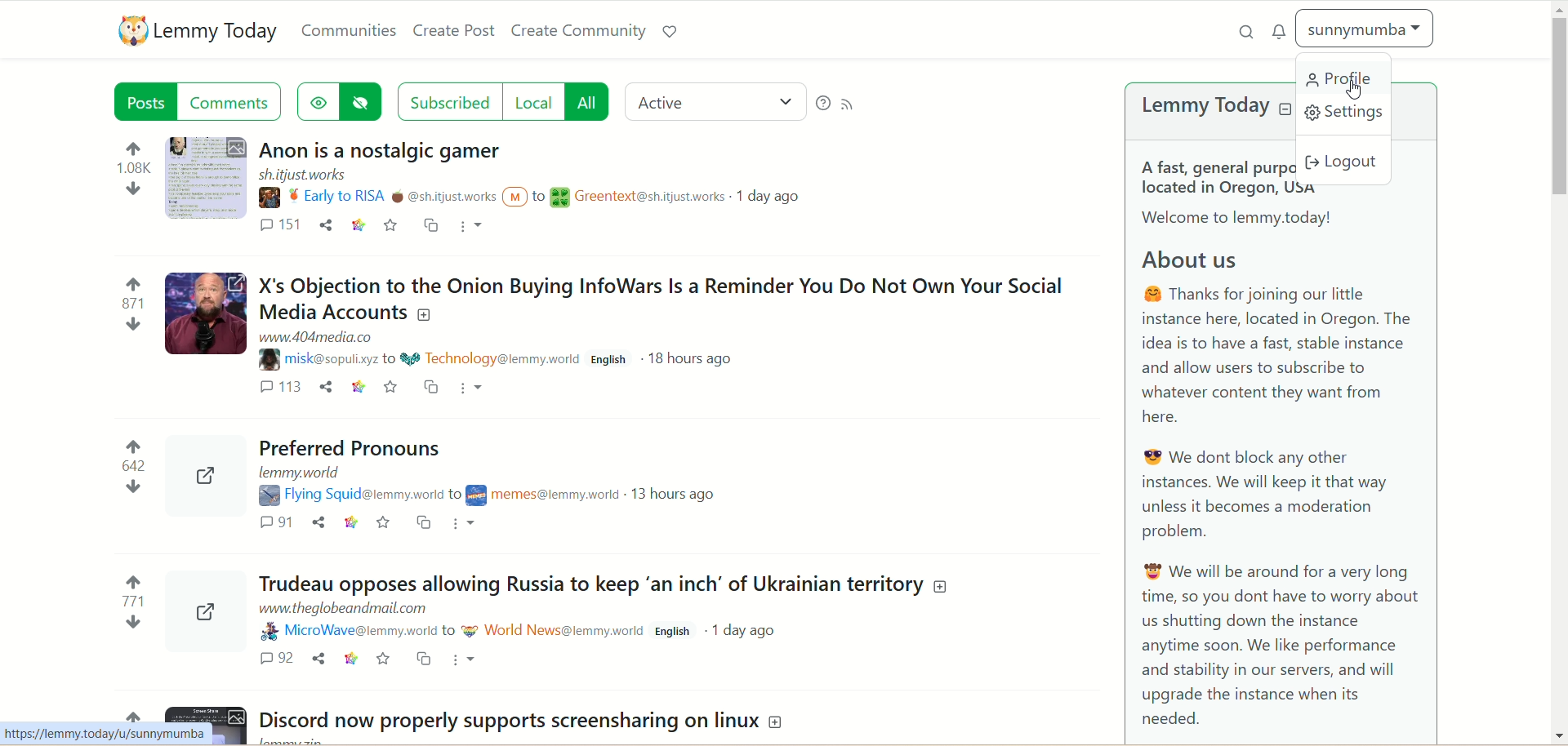  What do you see at coordinates (590, 102) in the screenshot?
I see `all` at bounding box center [590, 102].